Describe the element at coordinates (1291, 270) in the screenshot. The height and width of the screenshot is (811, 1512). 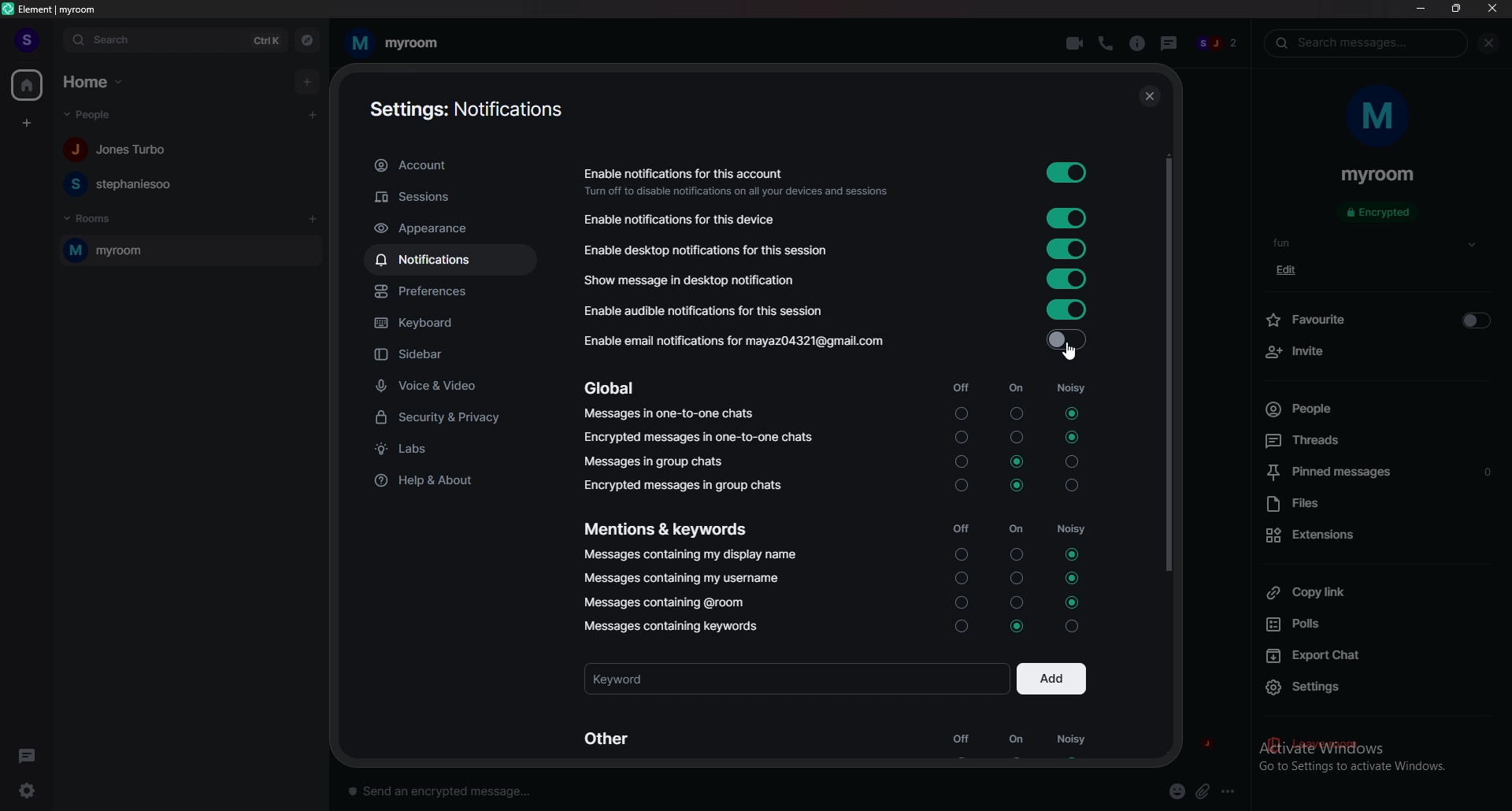
I see `edit` at that location.